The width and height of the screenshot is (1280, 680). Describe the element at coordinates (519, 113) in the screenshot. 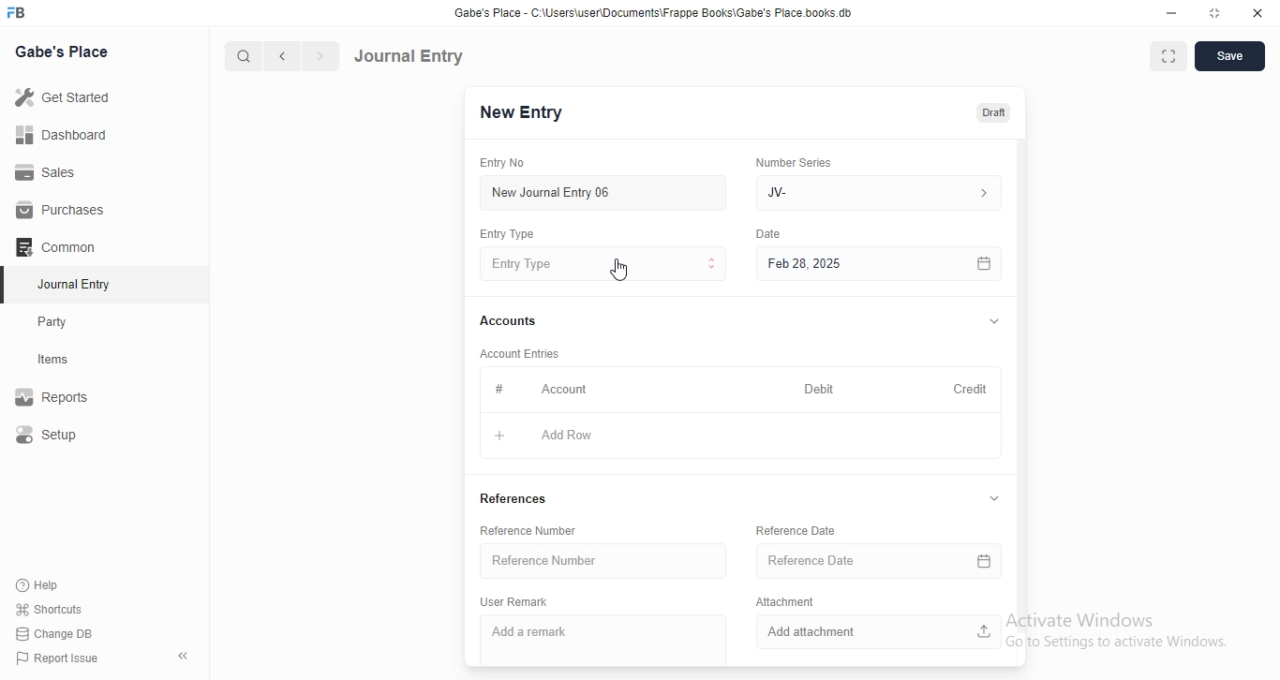

I see `New Entry` at that location.